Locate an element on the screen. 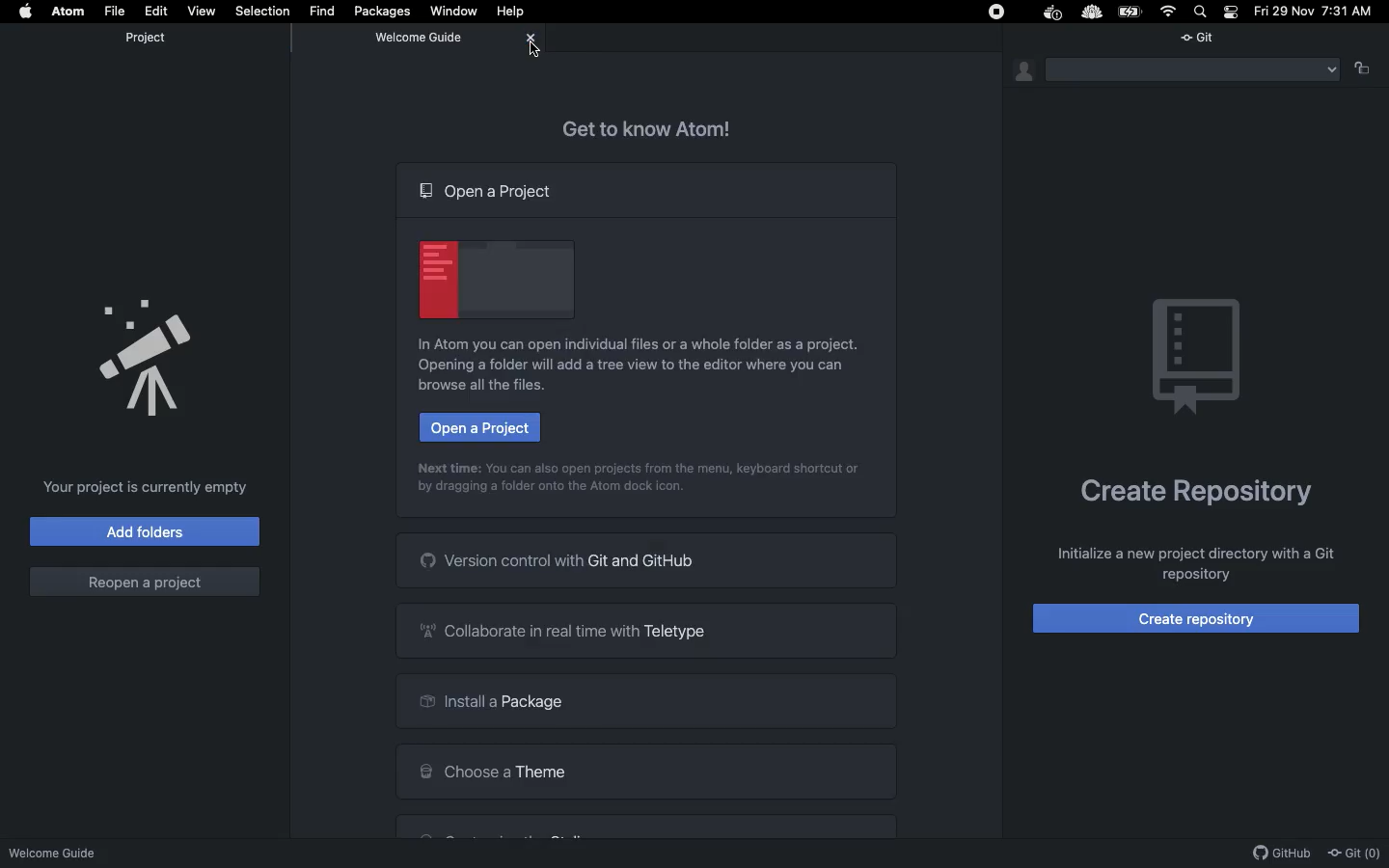  Your project is currently empty  is located at coordinates (151, 486).